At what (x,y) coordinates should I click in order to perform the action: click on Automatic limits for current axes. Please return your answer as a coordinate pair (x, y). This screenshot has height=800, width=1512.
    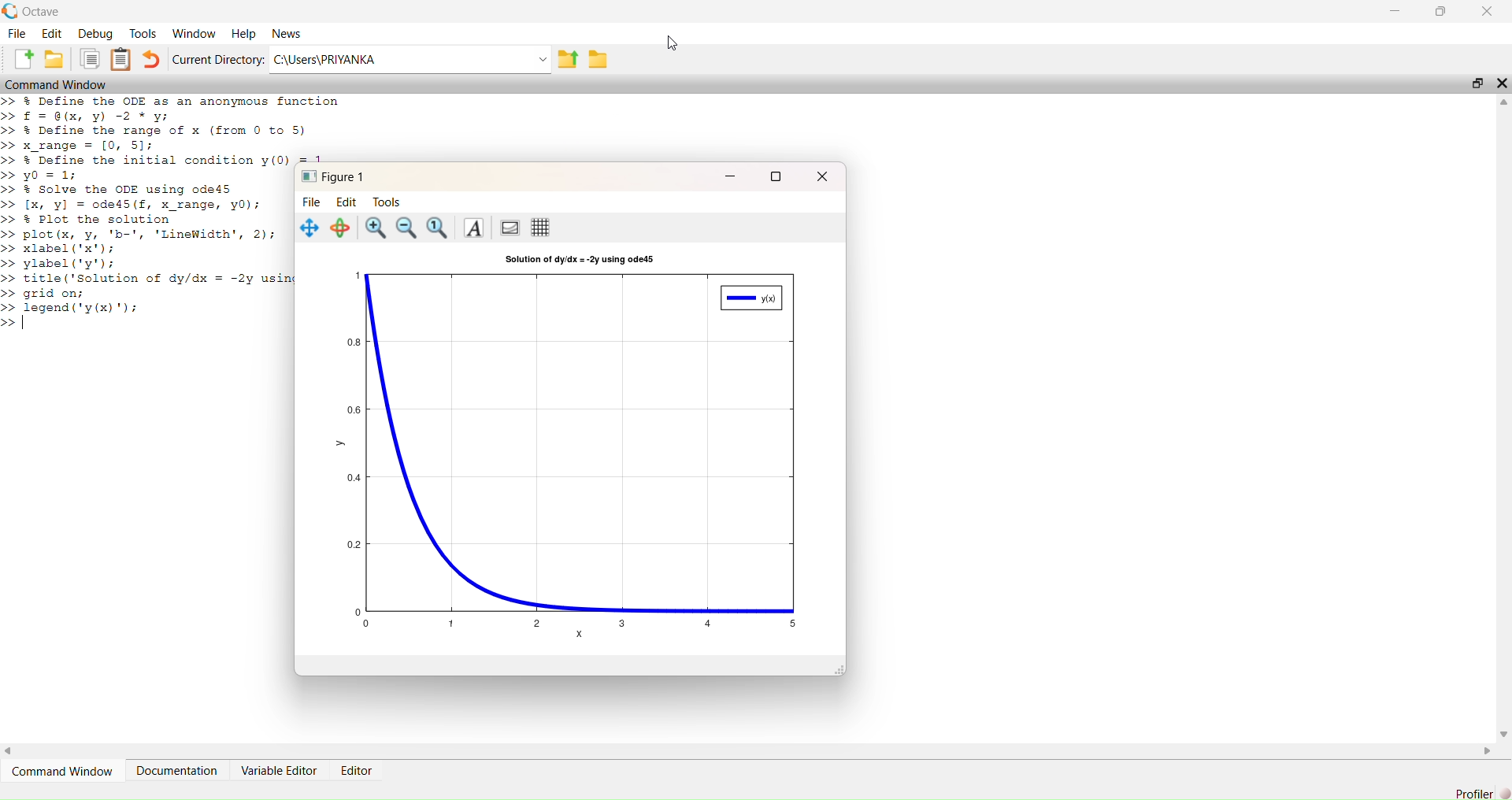
    Looking at the image, I should click on (437, 228).